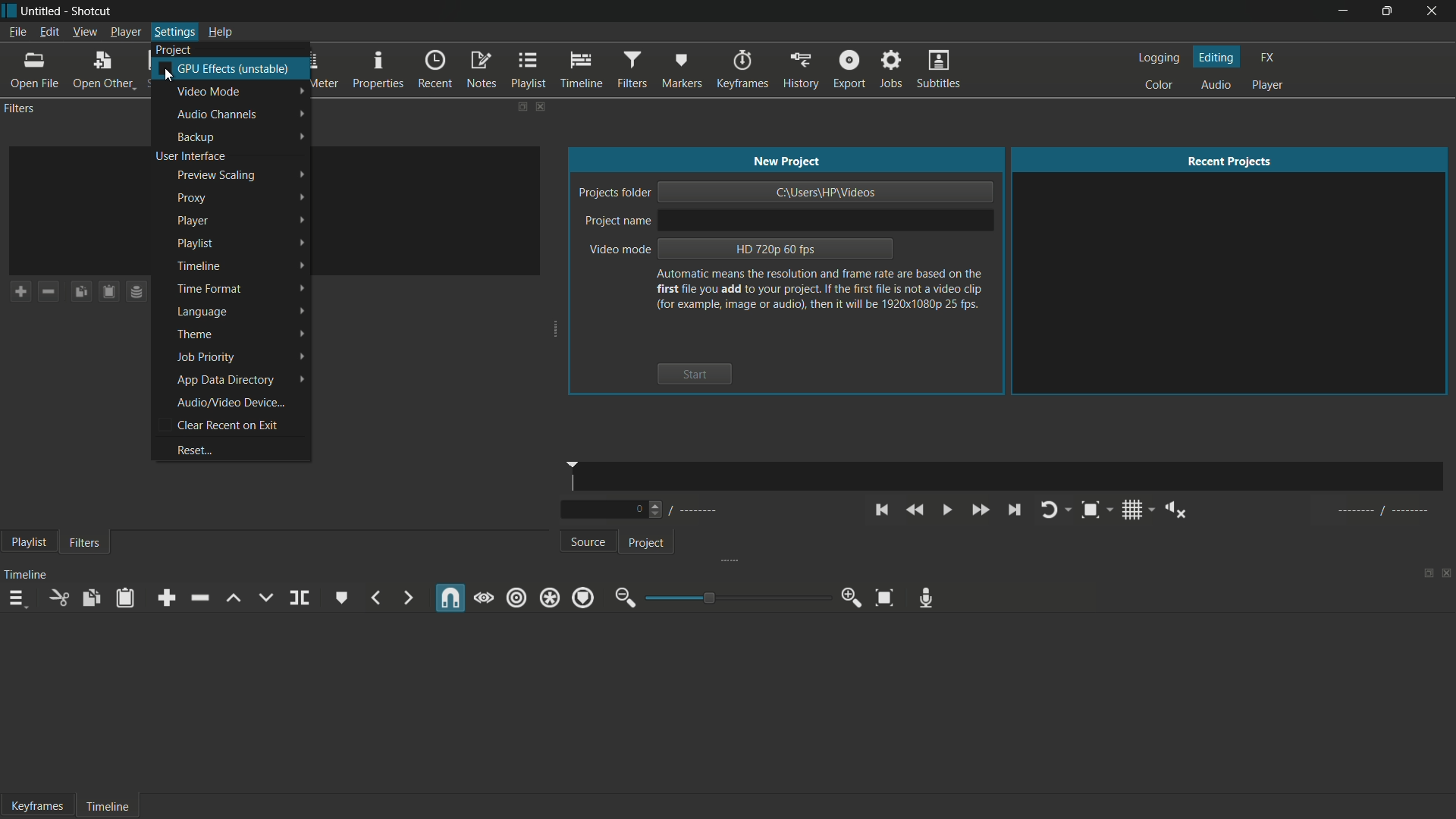 The image size is (1456, 819). I want to click on clear recent on exit, so click(230, 425).